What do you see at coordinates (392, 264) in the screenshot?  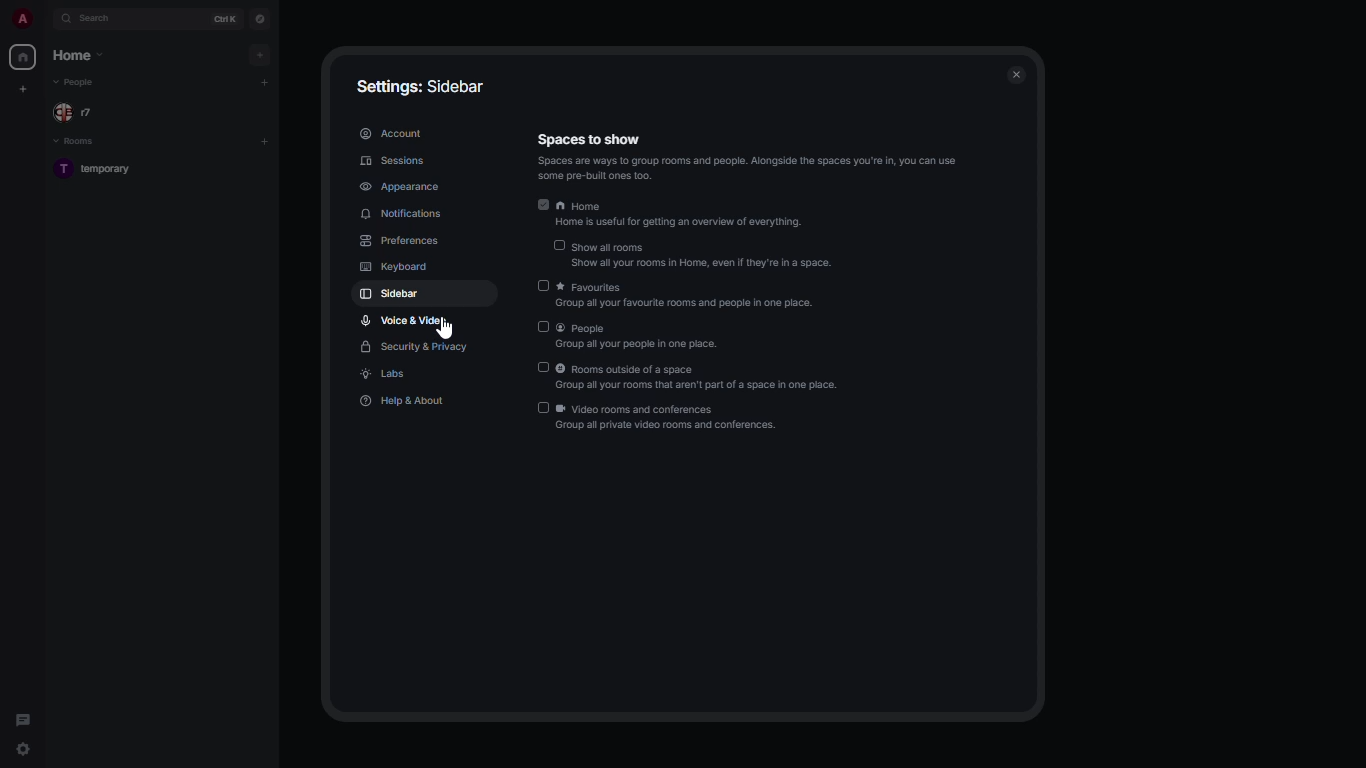 I see `keyboard` at bounding box center [392, 264].